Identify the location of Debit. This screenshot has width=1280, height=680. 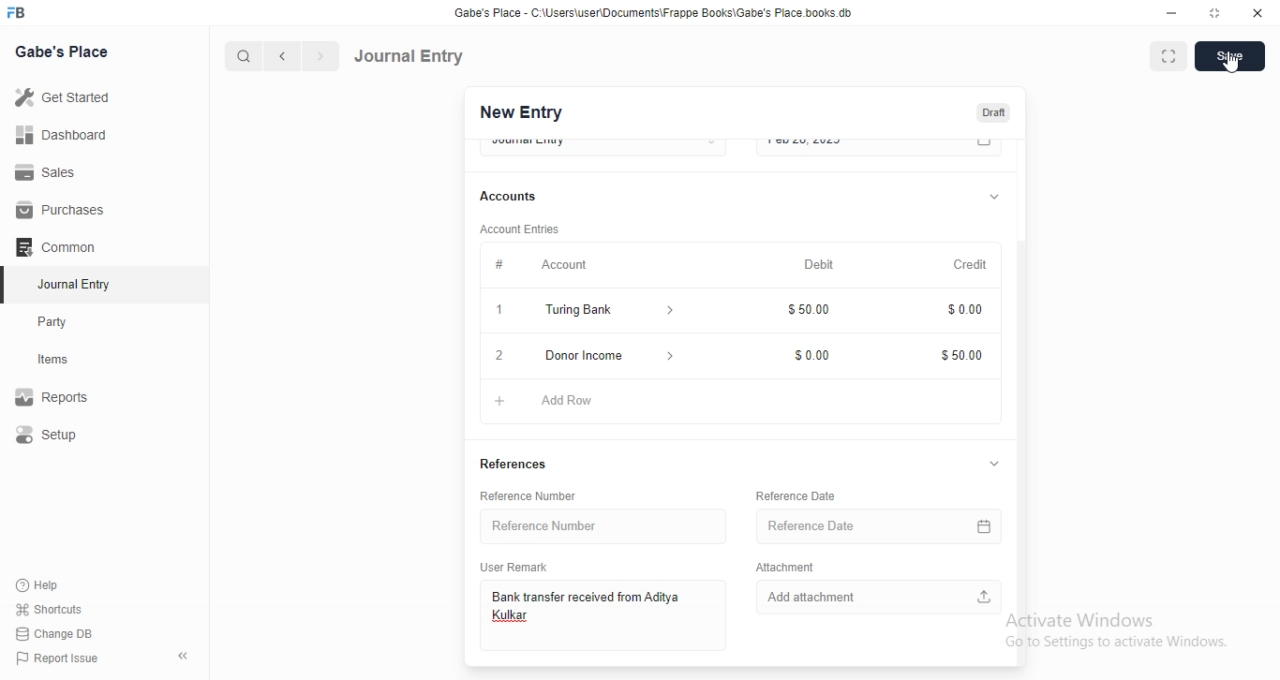
(820, 265).